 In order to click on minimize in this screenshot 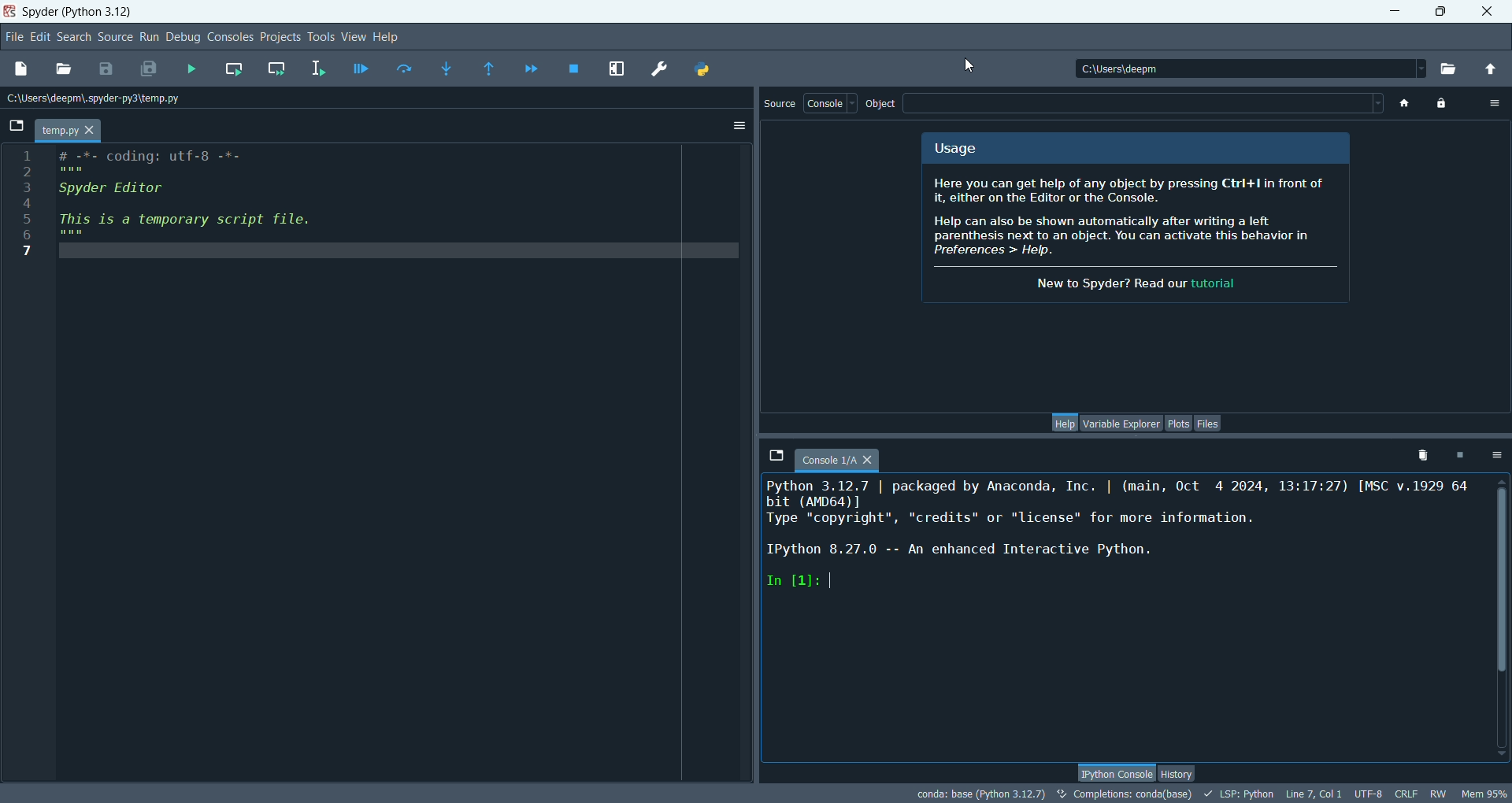, I will do `click(1399, 9)`.